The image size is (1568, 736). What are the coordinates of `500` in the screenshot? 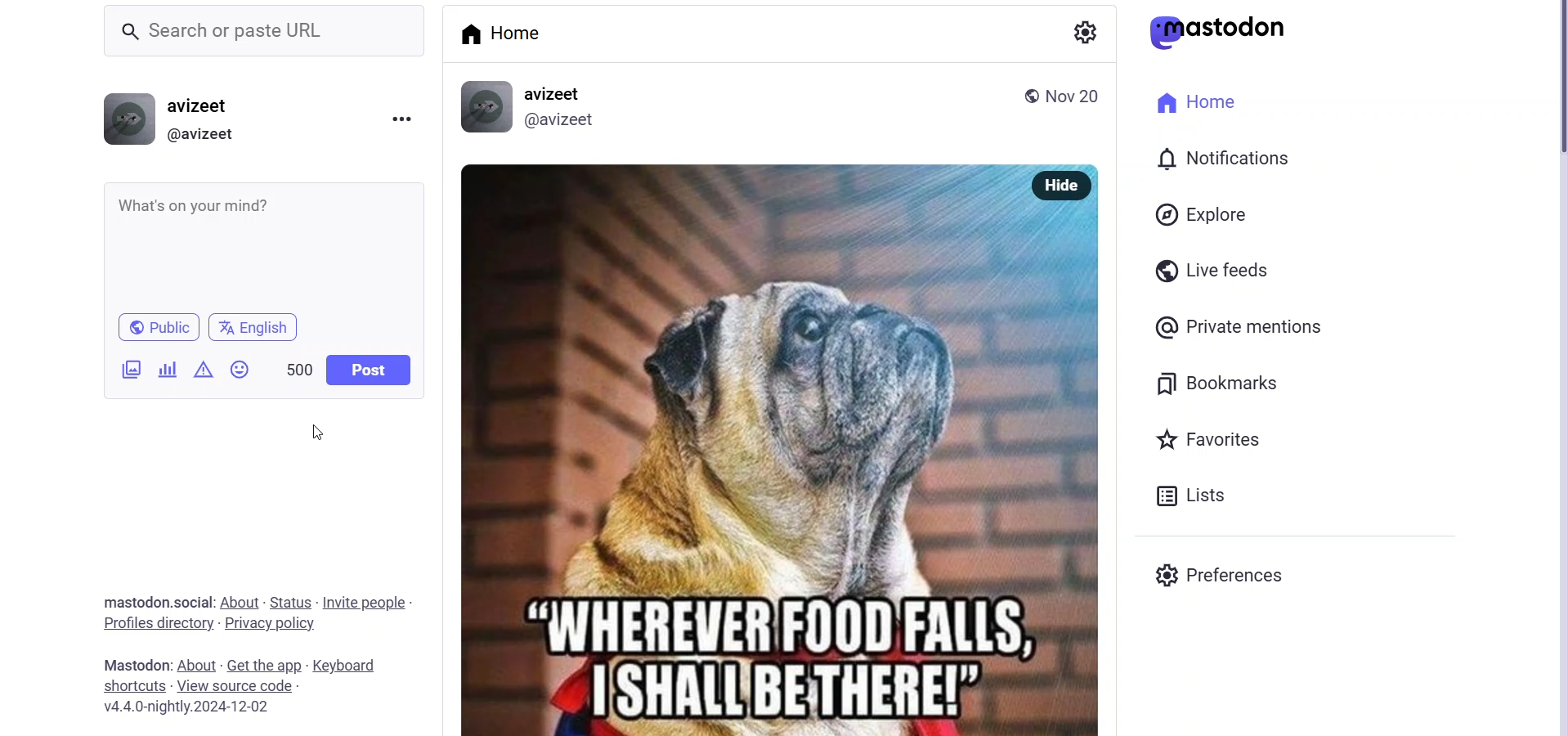 It's located at (293, 365).